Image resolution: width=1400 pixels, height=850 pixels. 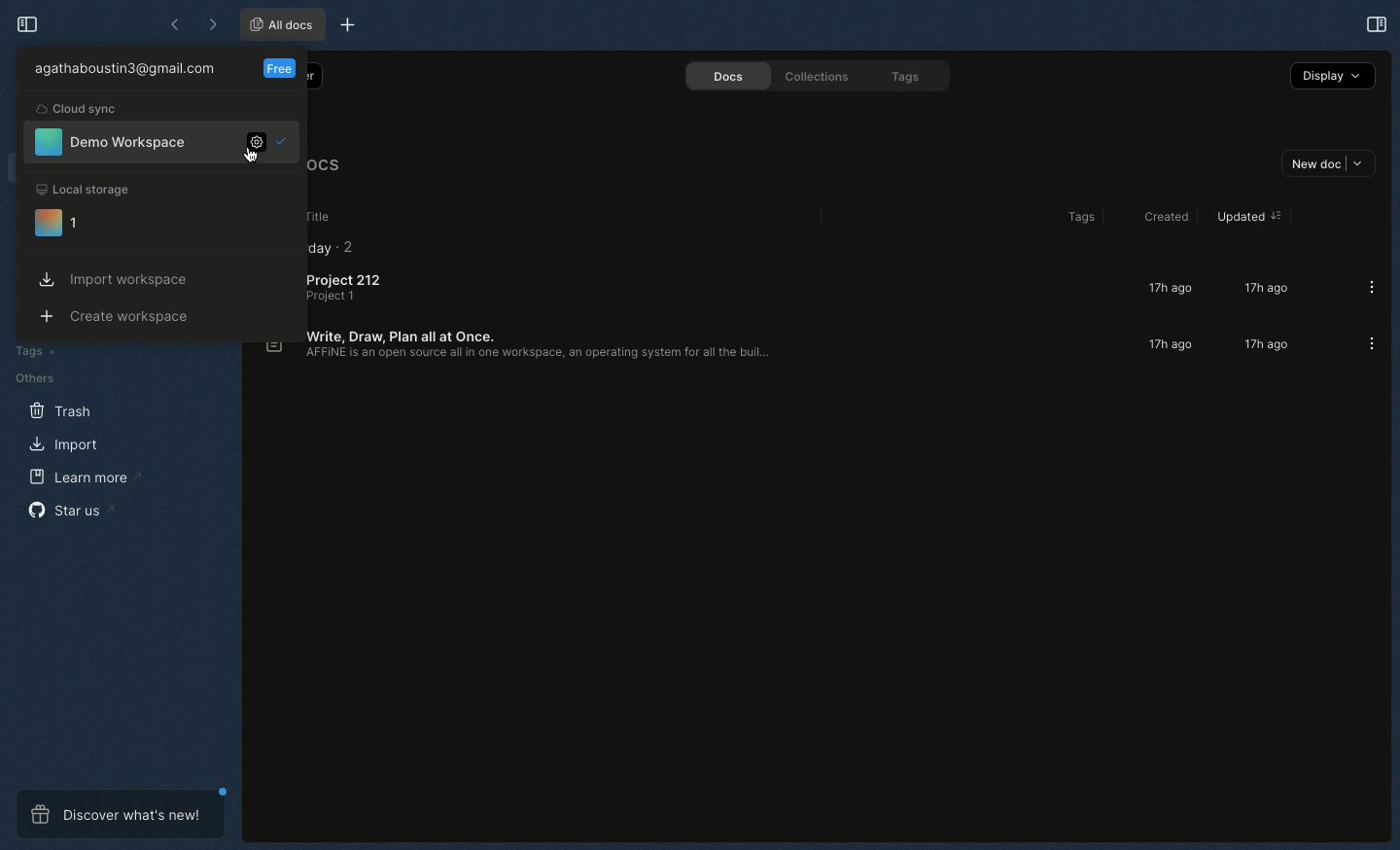 I want to click on 17h ago, so click(x=1171, y=344).